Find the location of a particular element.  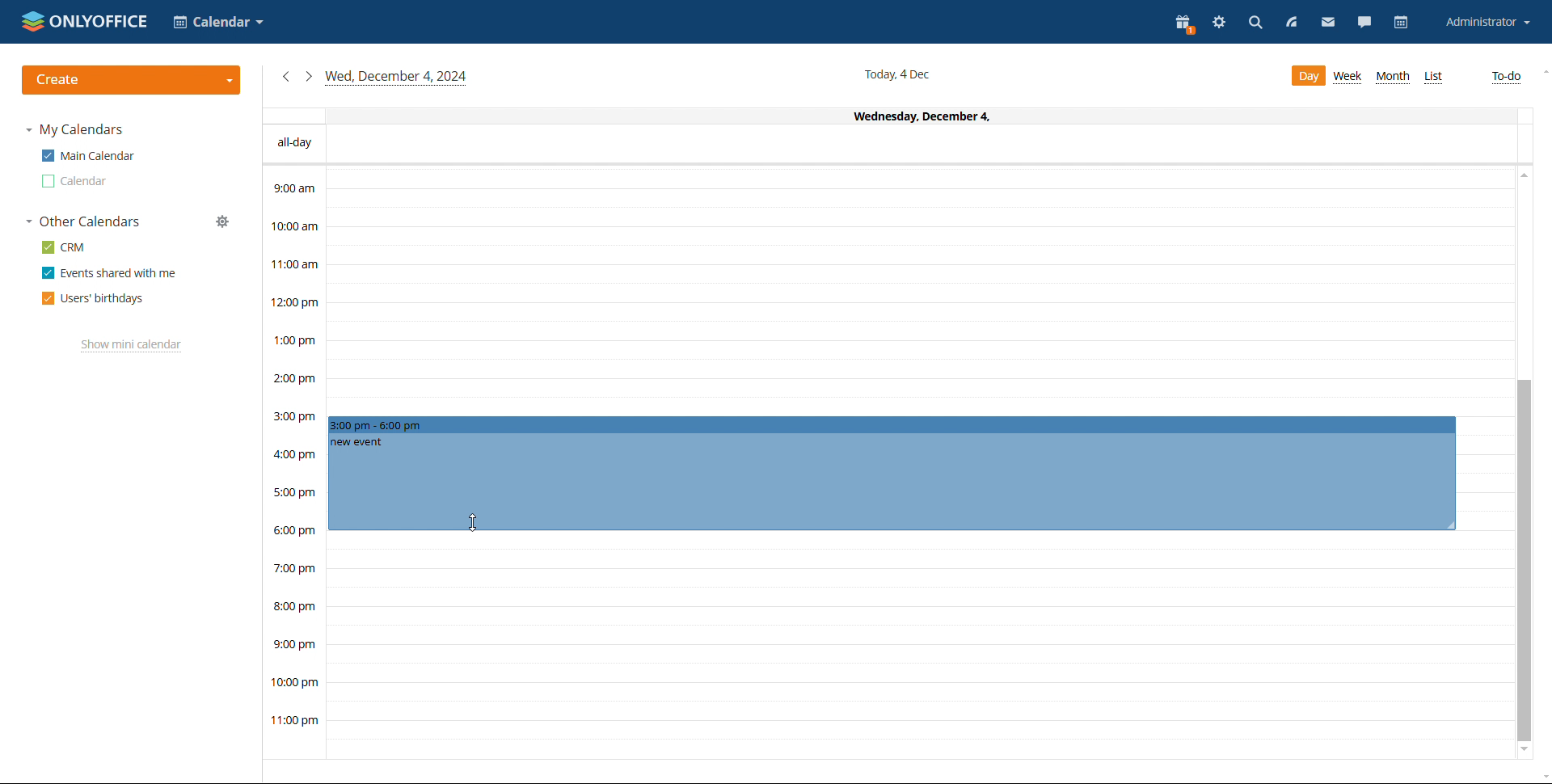

users' birthdays is located at coordinates (93, 298).